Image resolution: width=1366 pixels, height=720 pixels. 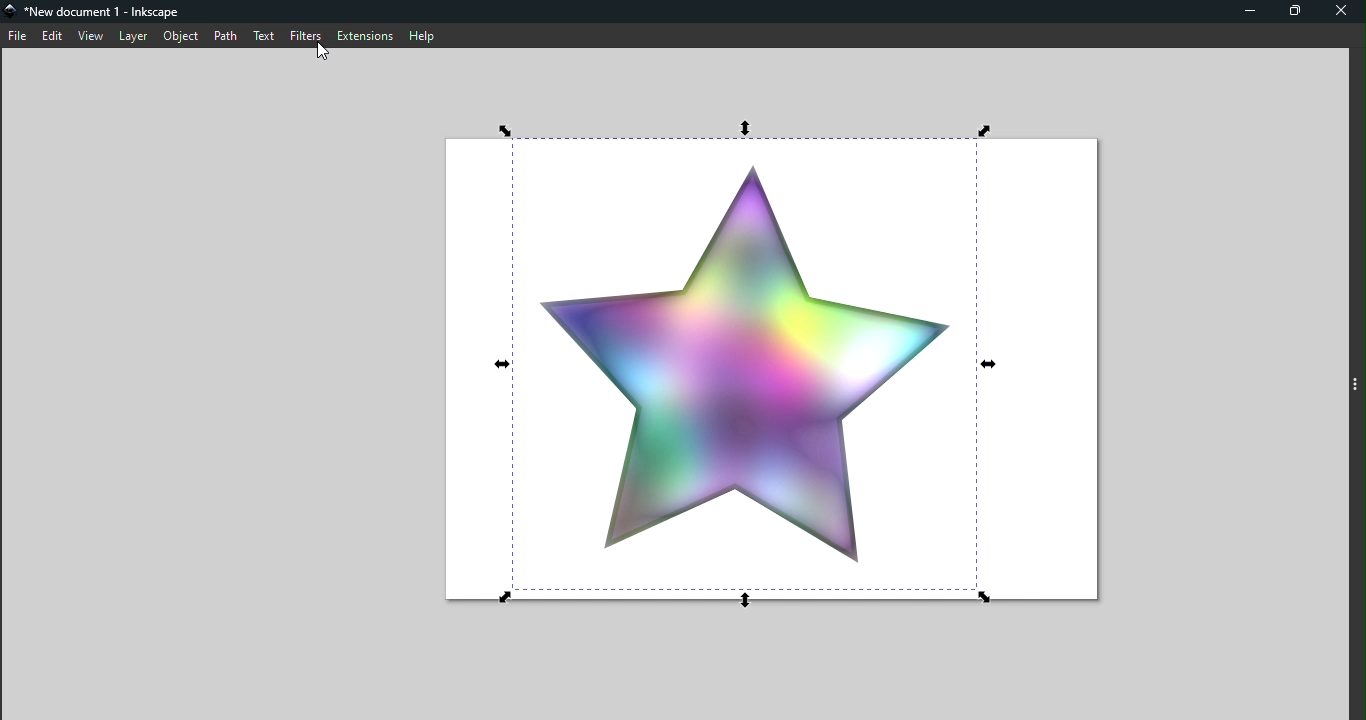 I want to click on Canvas, so click(x=770, y=365).